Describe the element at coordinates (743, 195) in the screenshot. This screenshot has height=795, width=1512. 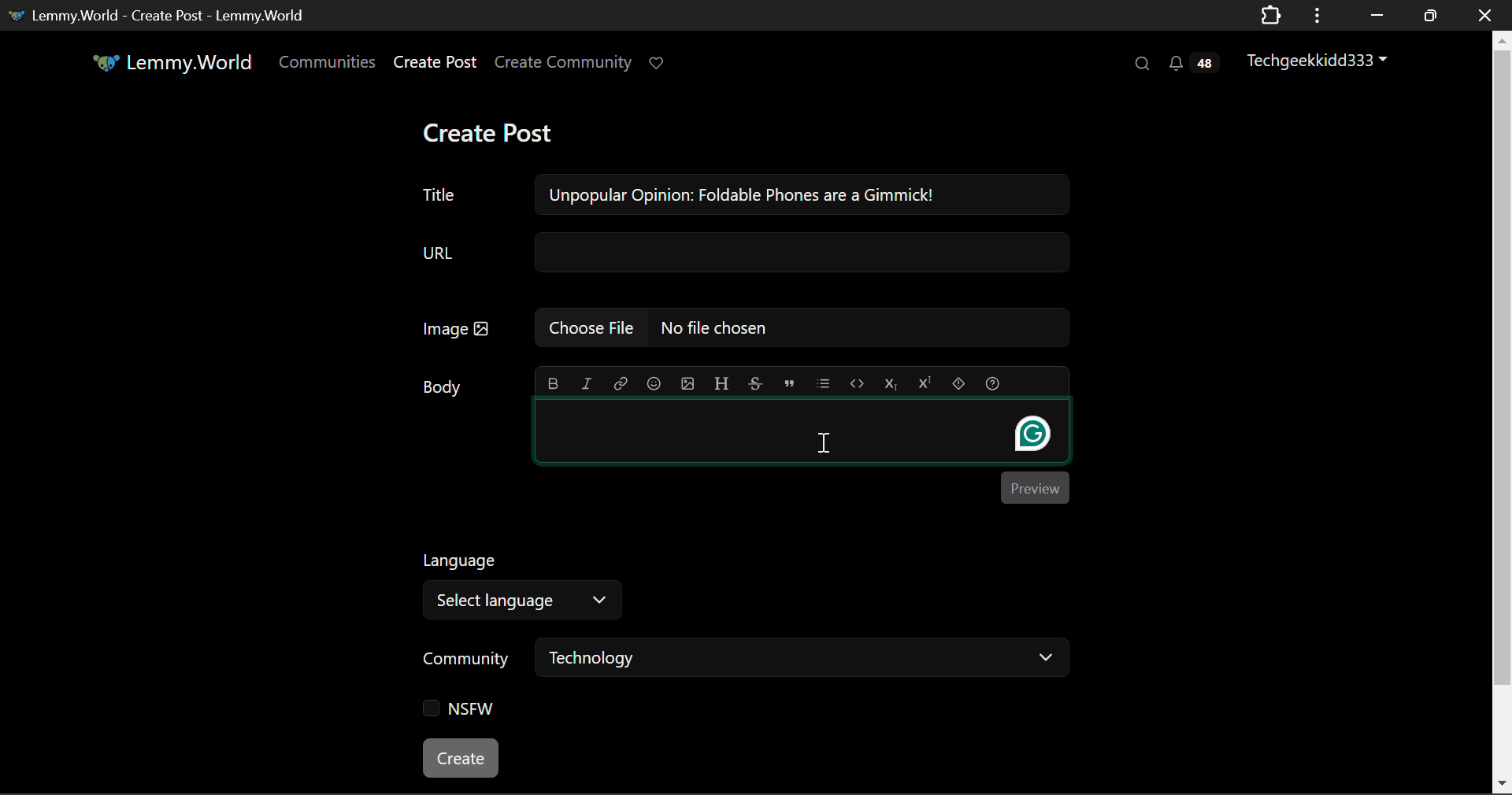
I see `Unpopular Opinion: Foldable Phones are a Gimmick` at that location.